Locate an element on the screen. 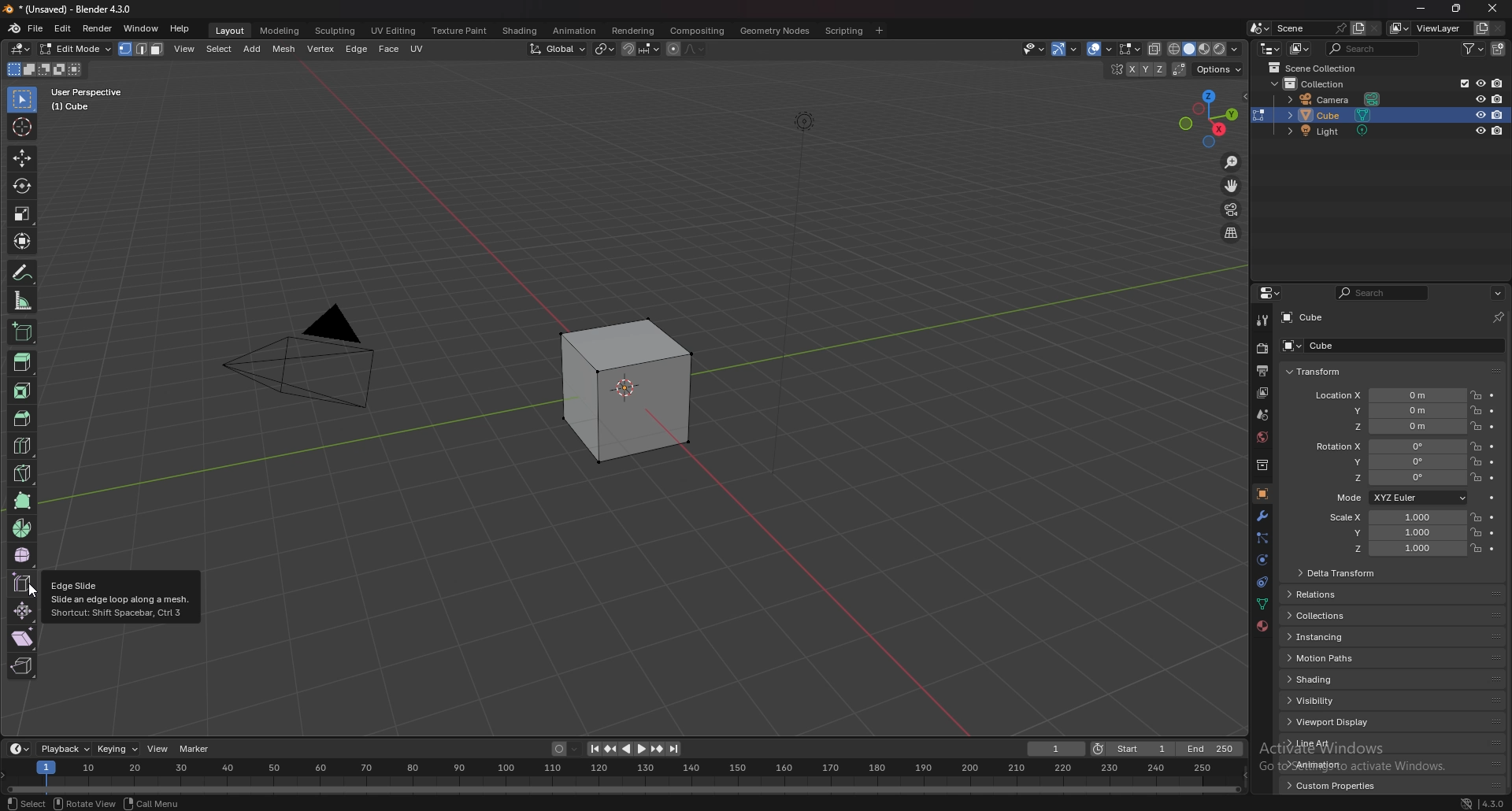 The width and height of the screenshot is (1512, 811). output is located at coordinates (1259, 371).